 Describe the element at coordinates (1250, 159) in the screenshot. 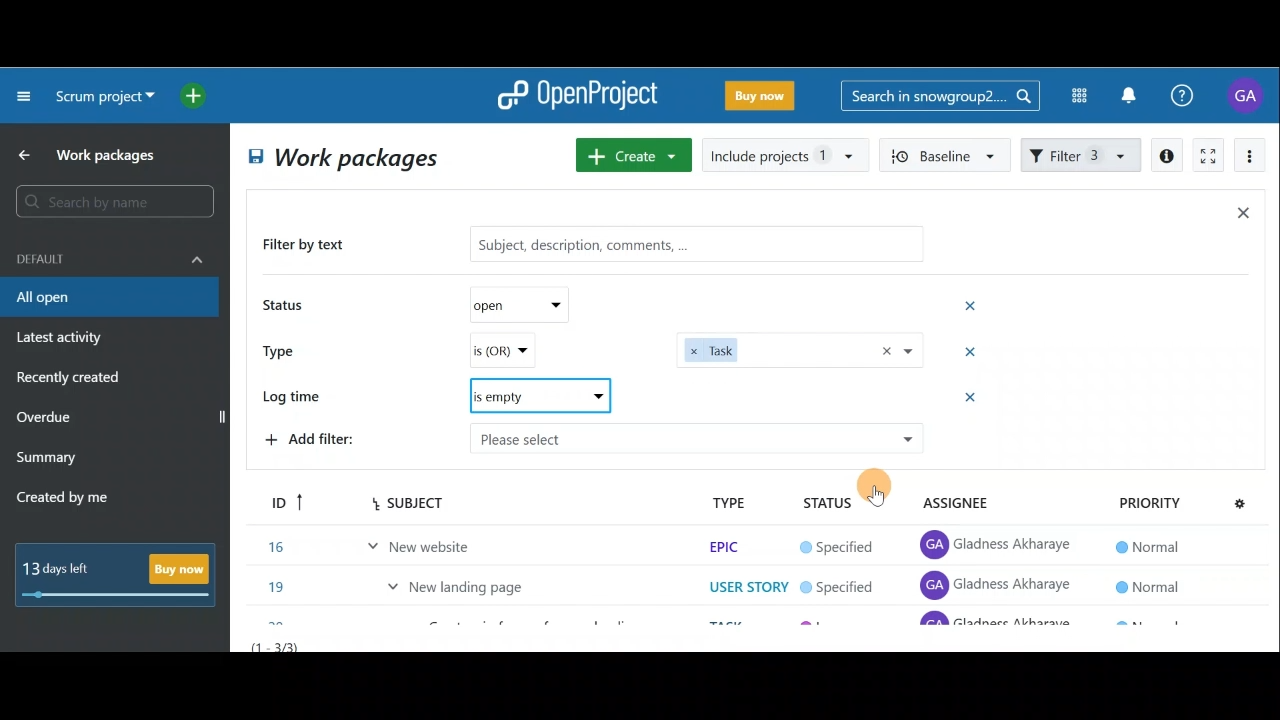

I see `More actions` at that location.